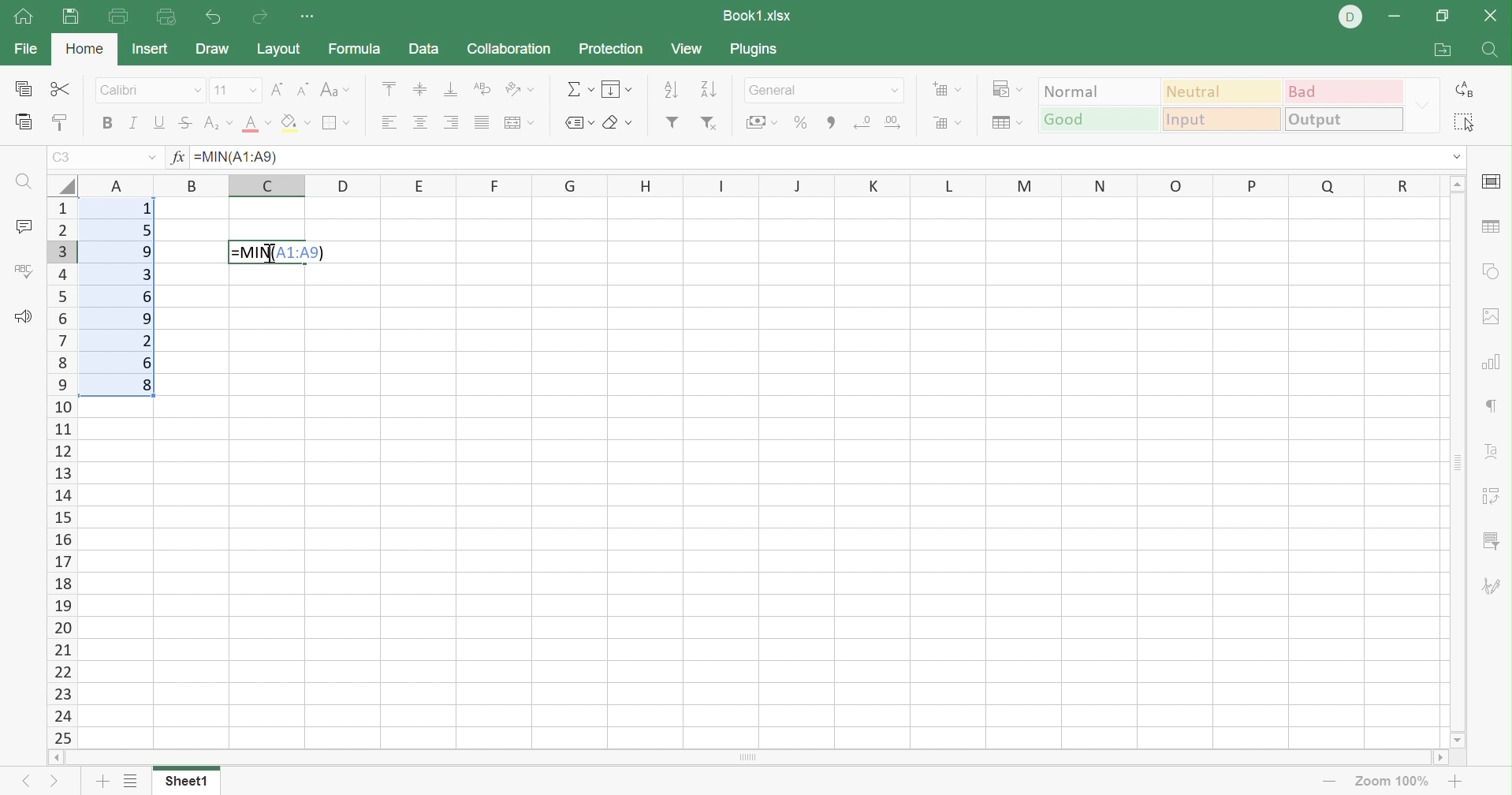 This screenshot has width=1512, height=795. Describe the element at coordinates (688, 49) in the screenshot. I see `View` at that location.